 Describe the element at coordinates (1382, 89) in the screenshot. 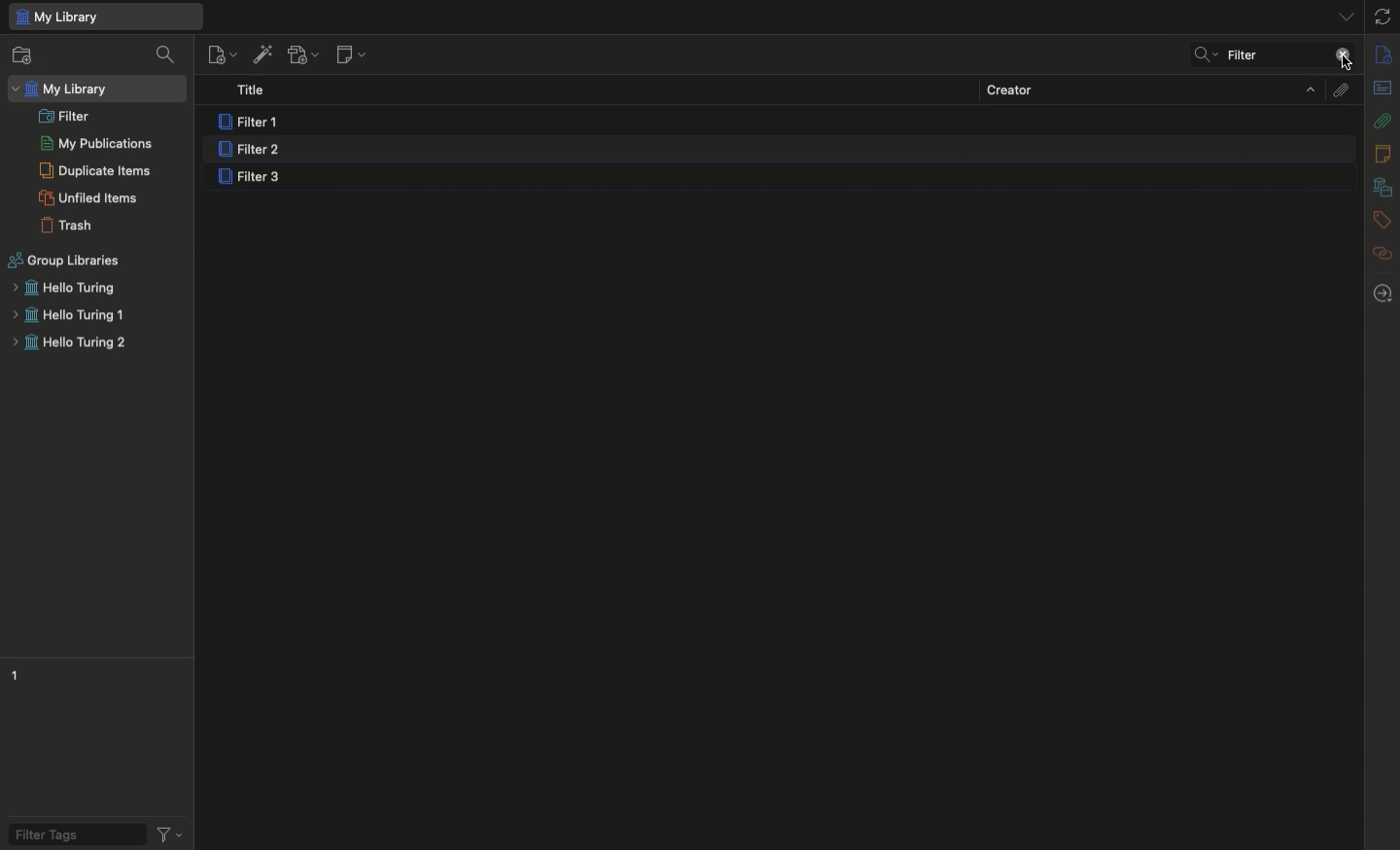

I see `Abstract` at that location.